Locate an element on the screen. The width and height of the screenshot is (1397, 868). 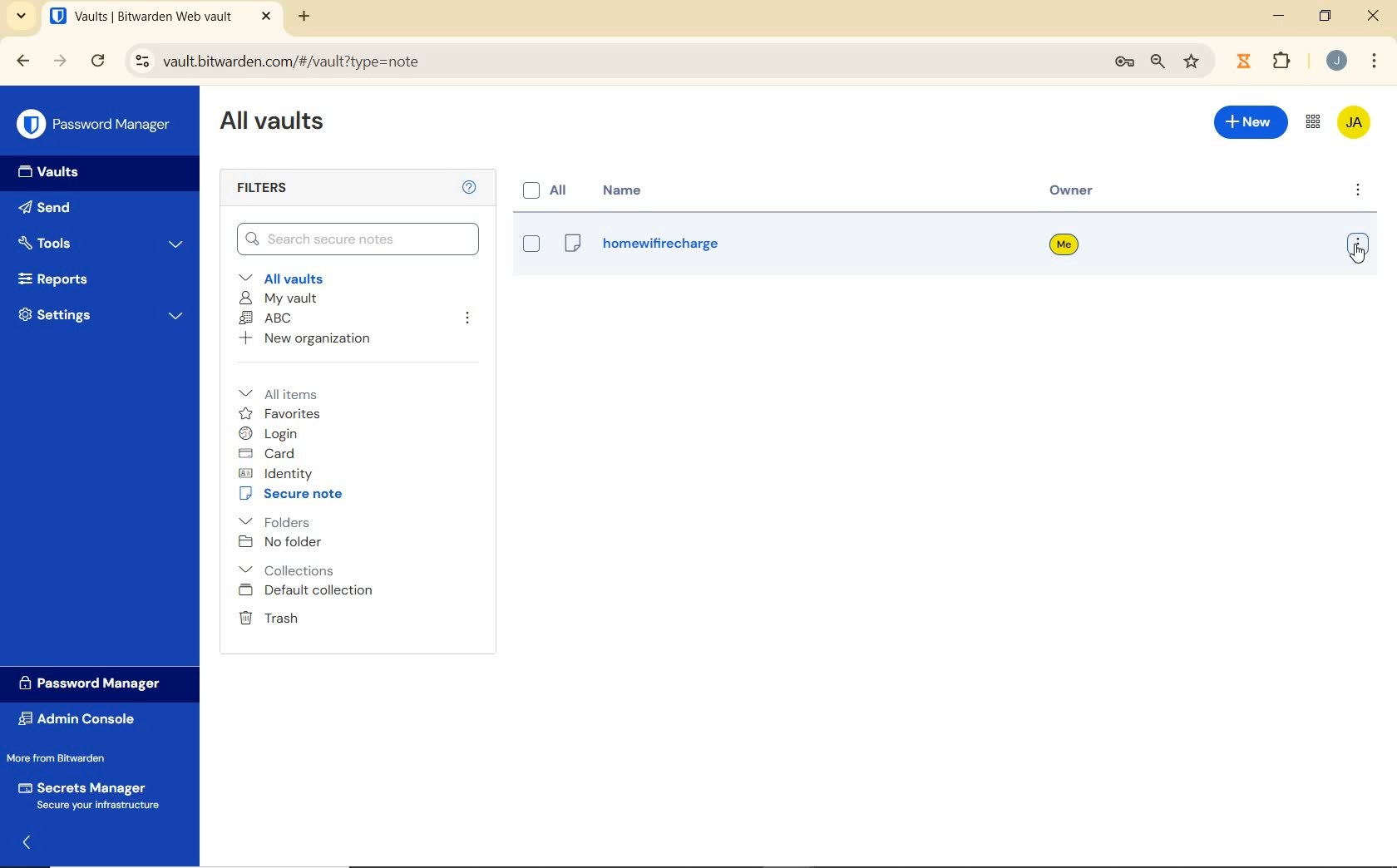
close is located at coordinates (1373, 15).